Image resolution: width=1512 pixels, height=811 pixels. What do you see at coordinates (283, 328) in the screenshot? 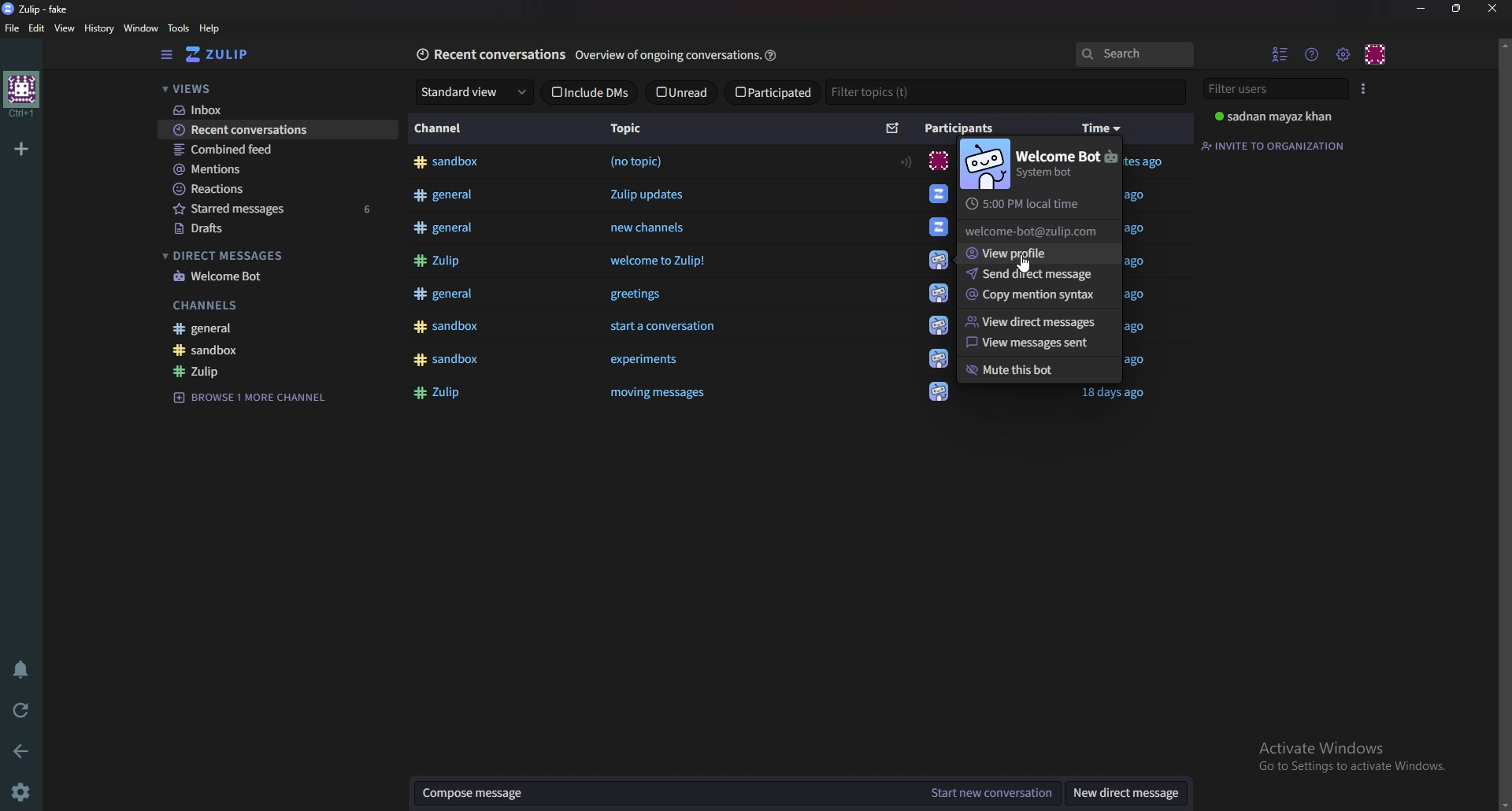
I see `General` at bounding box center [283, 328].